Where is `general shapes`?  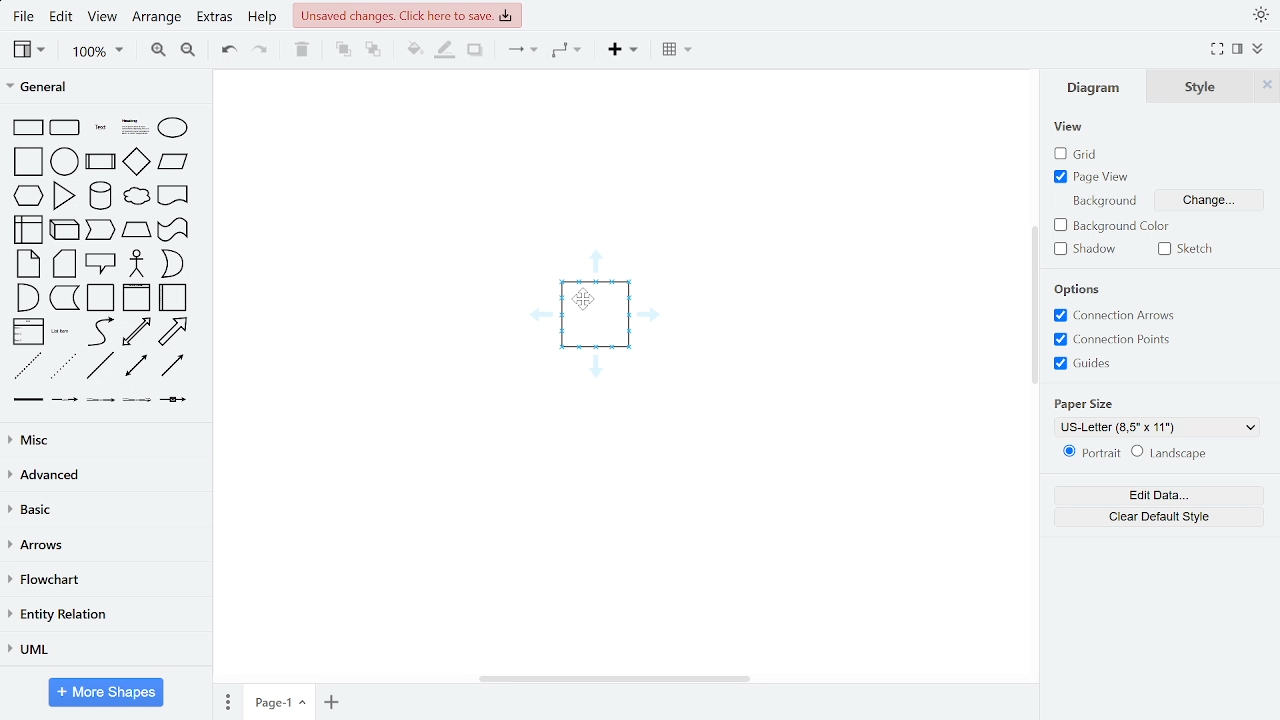 general shapes is located at coordinates (61, 194).